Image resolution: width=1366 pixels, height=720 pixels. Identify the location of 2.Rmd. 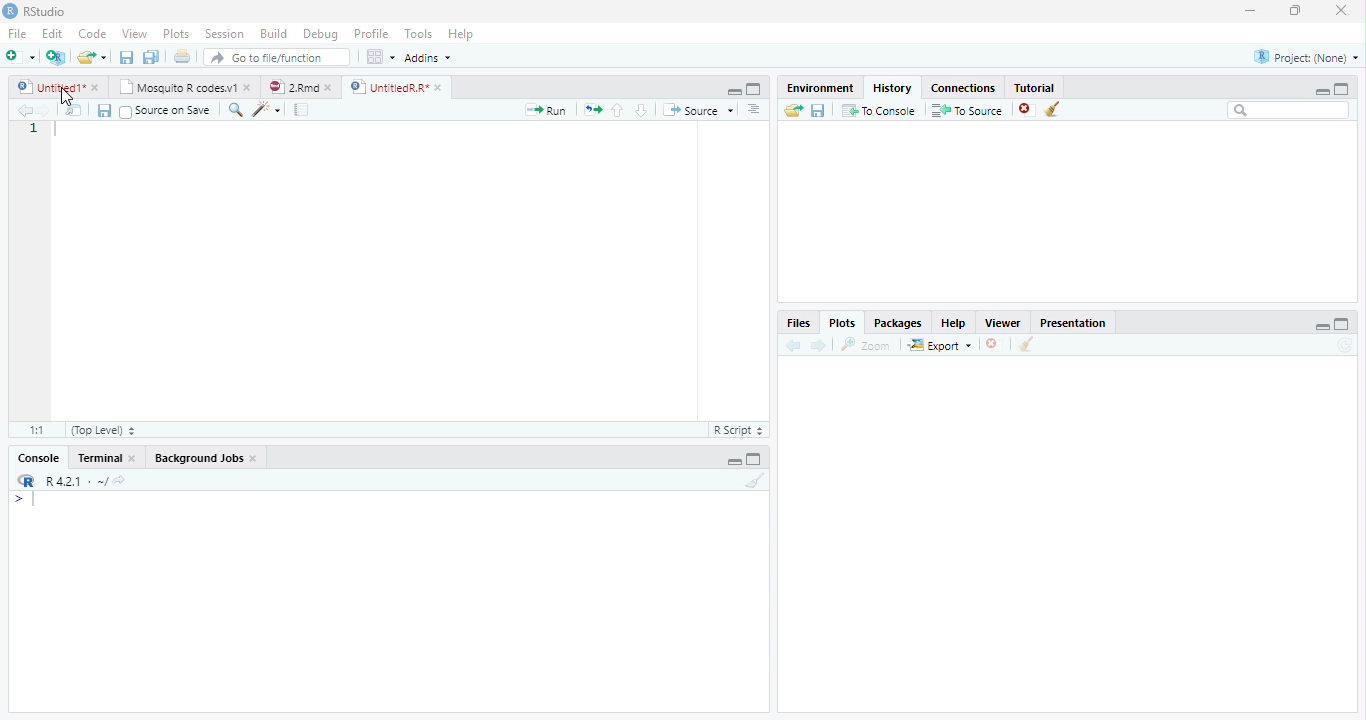
(303, 88).